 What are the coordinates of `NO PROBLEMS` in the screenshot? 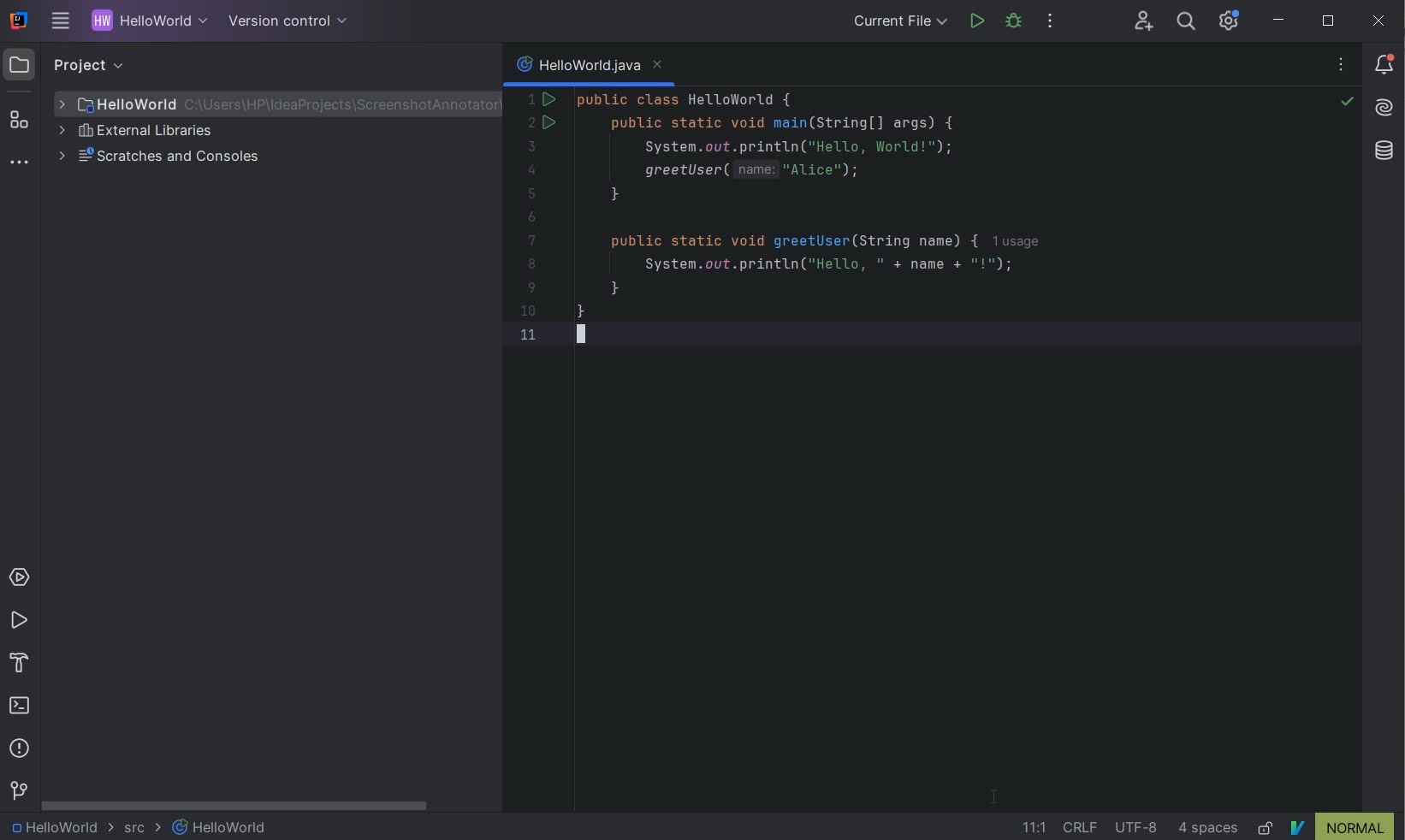 It's located at (1346, 104).